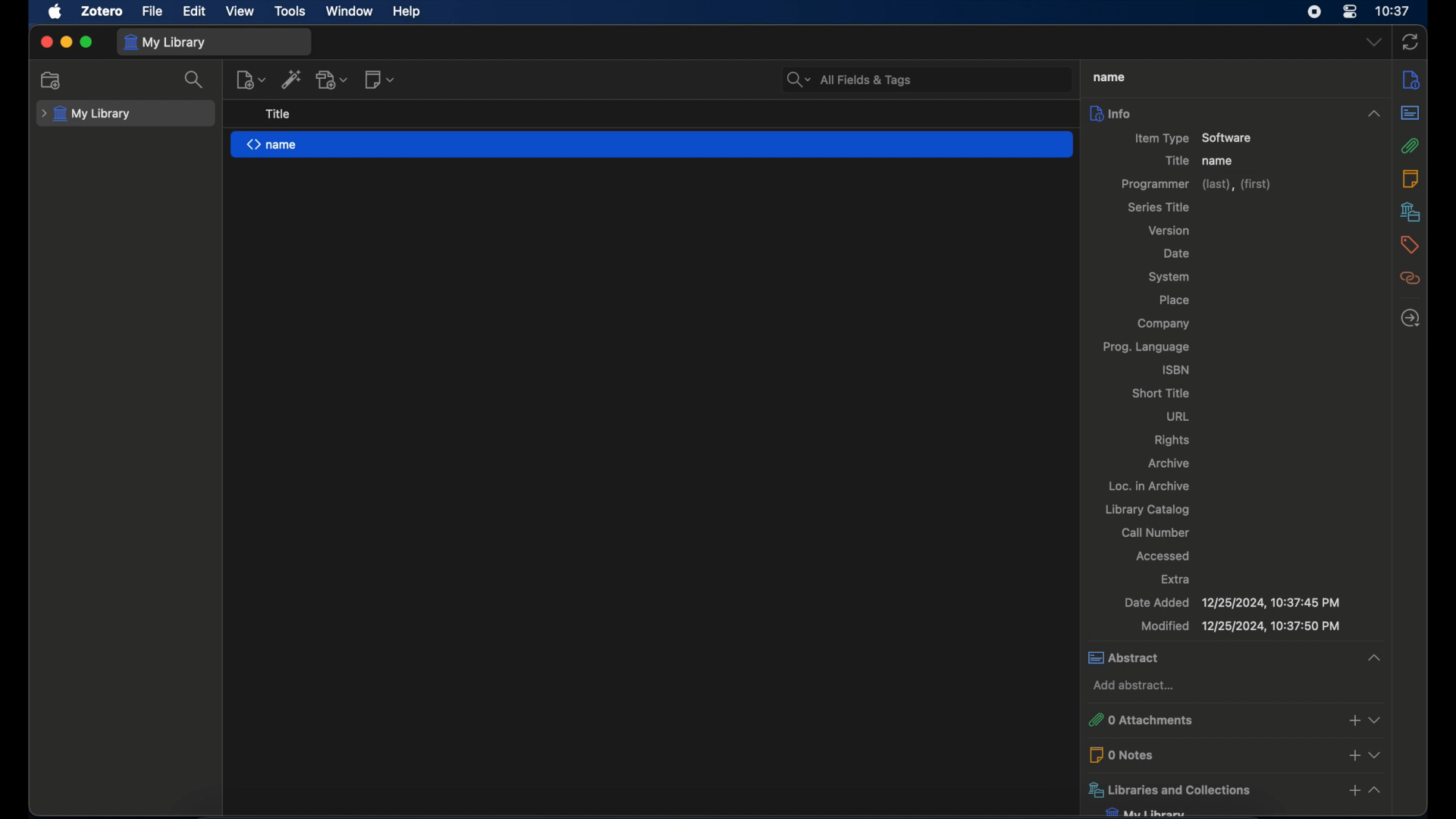 This screenshot has width=1456, height=819. What do you see at coordinates (1350, 791) in the screenshot?
I see `add libraries` at bounding box center [1350, 791].